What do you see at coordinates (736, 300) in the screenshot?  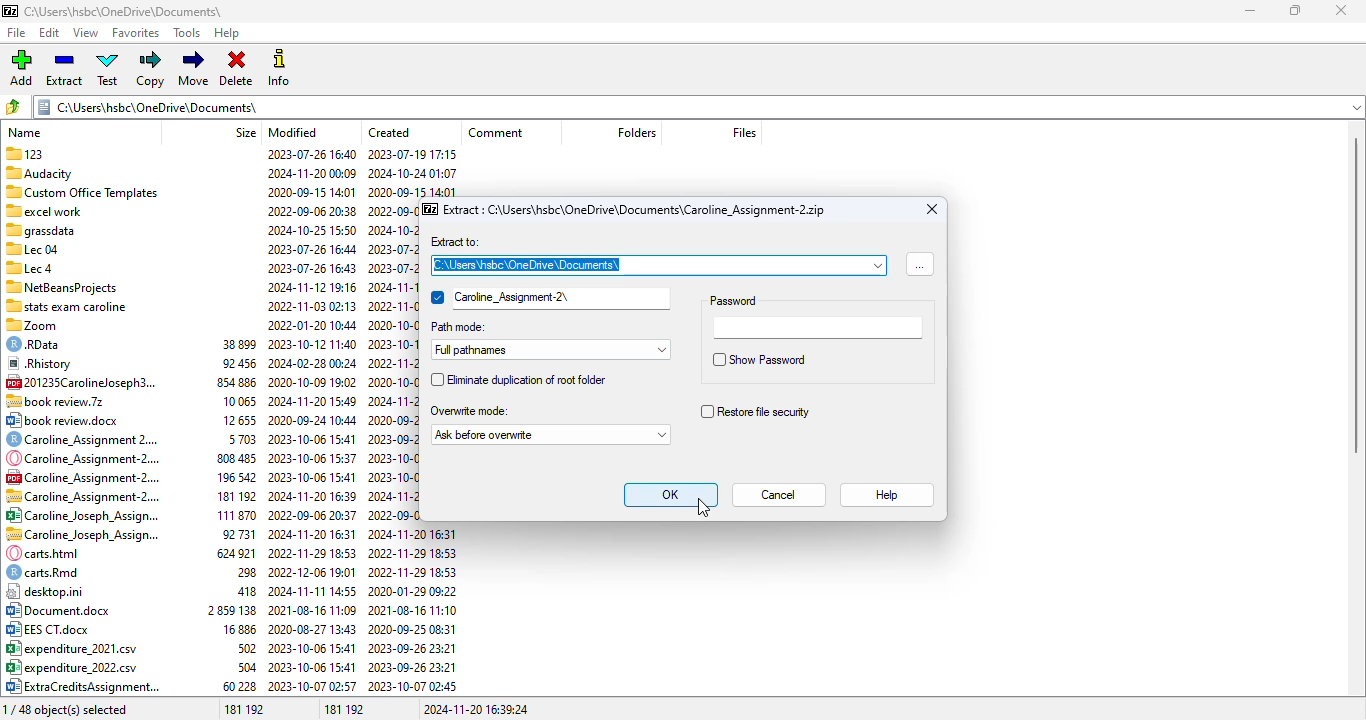 I see `password` at bounding box center [736, 300].